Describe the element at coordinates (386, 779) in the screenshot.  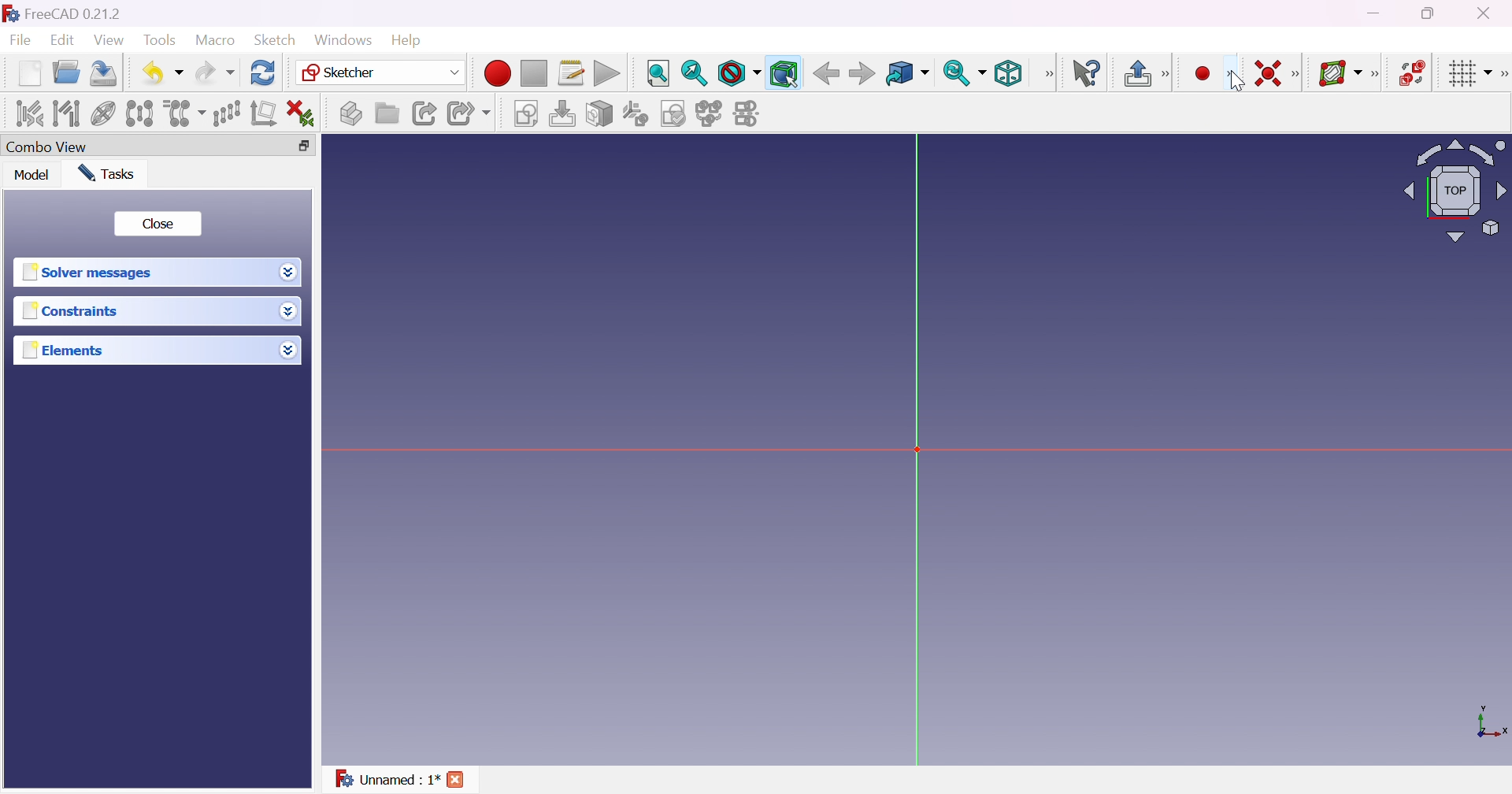
I see `Unnamed : 1*` at that location.